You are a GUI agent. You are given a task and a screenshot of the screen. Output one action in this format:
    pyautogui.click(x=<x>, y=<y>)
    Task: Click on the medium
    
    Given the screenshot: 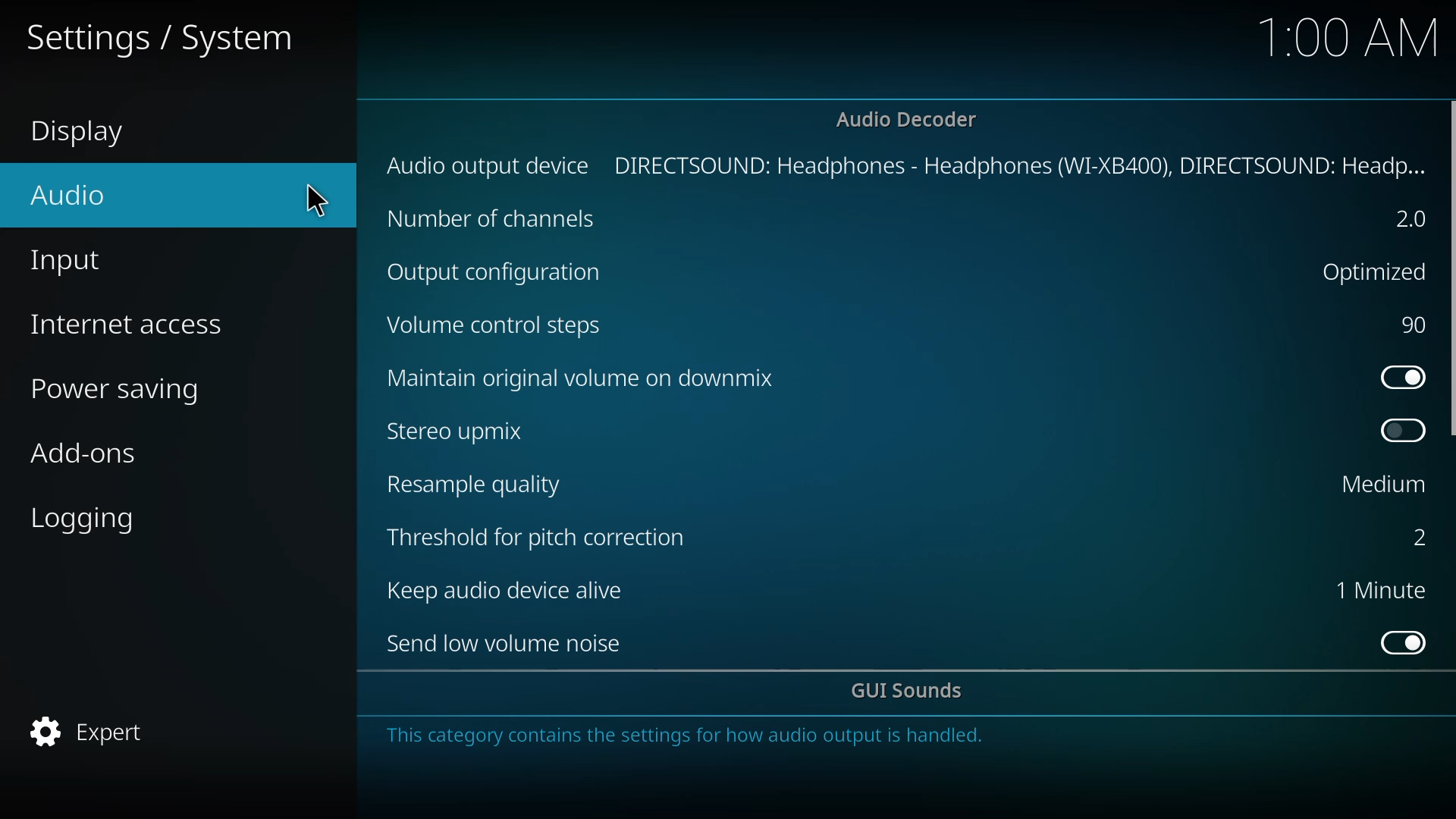 What is the action you would take?
    pyautogui.click(x=1373, y=485)
    